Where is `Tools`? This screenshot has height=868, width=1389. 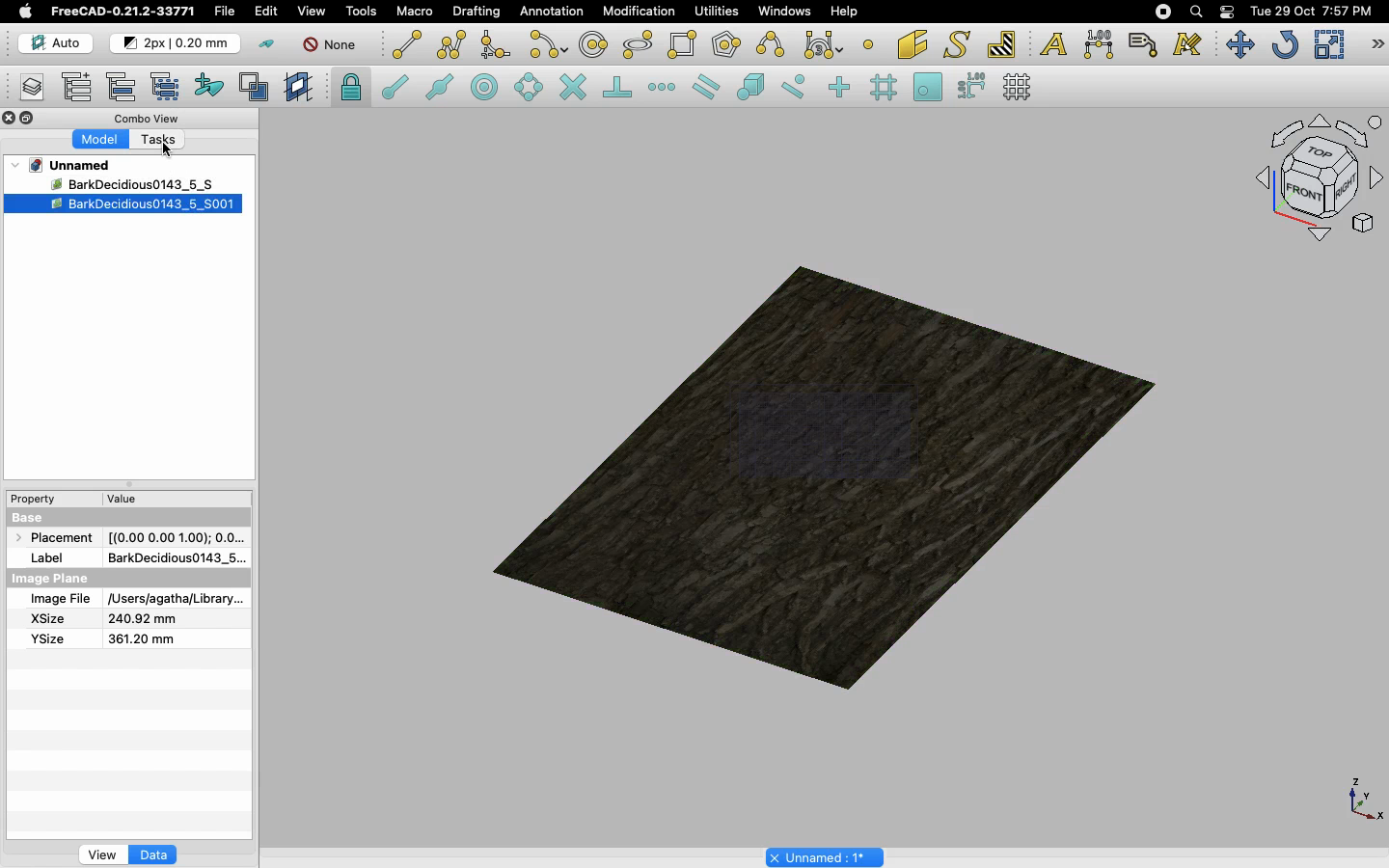
Tools is located at coordinates (361, 12).